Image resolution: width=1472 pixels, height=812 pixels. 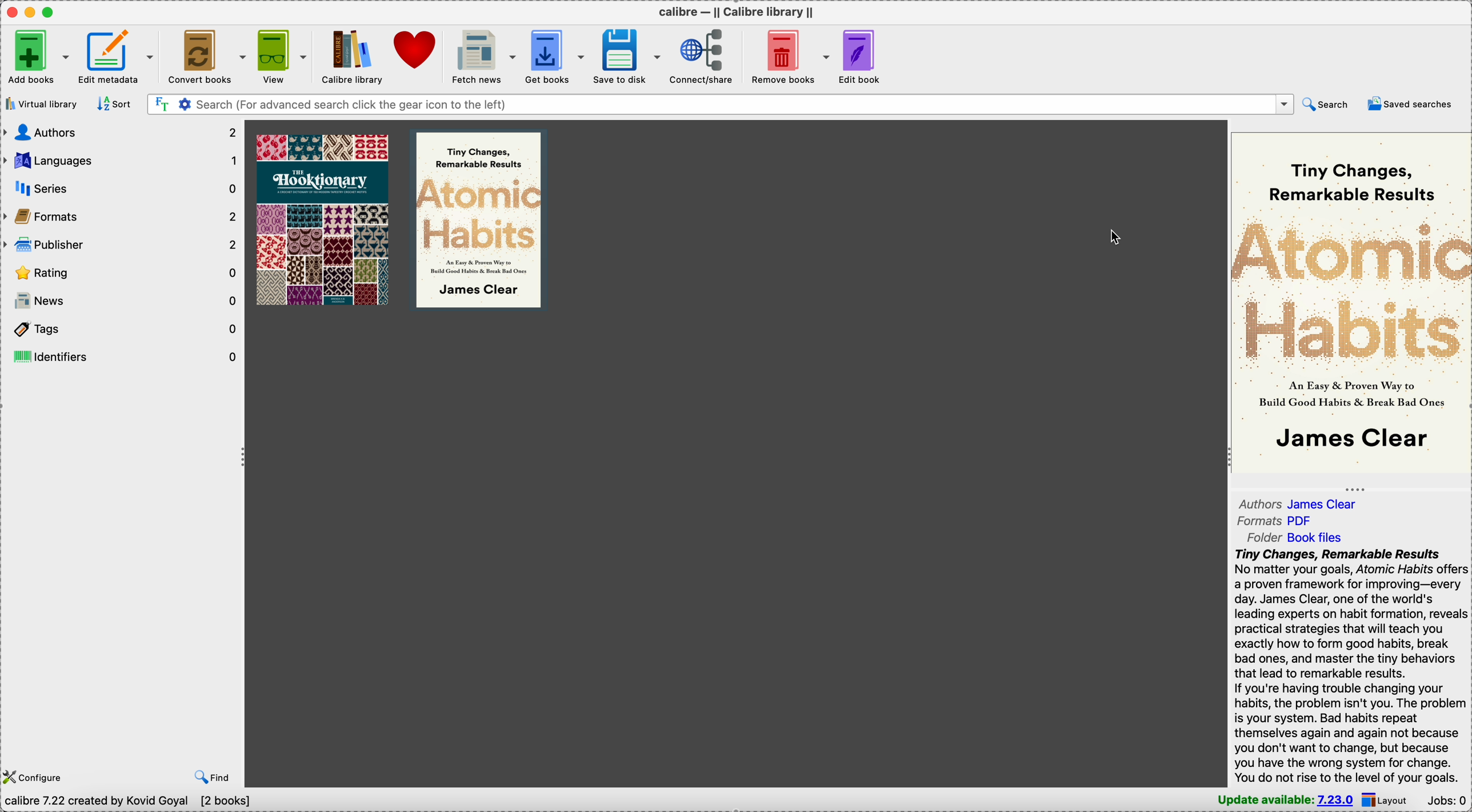 I want to click on edit book, so click(x=863, y=55).